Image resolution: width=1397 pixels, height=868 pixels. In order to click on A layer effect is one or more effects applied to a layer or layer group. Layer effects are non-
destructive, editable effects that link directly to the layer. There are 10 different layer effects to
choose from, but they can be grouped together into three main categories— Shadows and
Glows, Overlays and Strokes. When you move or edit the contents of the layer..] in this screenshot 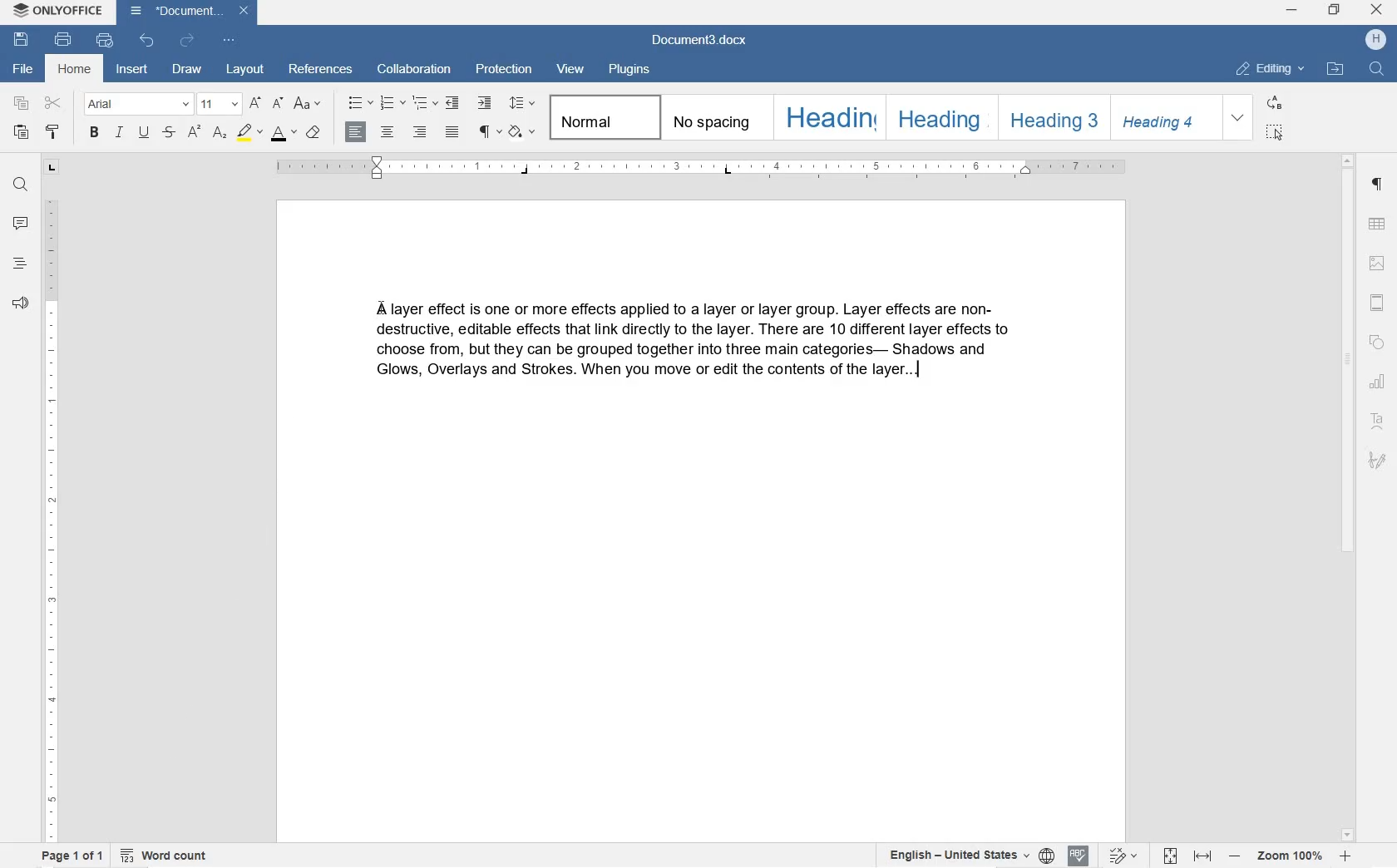, I will do `click(677, 348)`.